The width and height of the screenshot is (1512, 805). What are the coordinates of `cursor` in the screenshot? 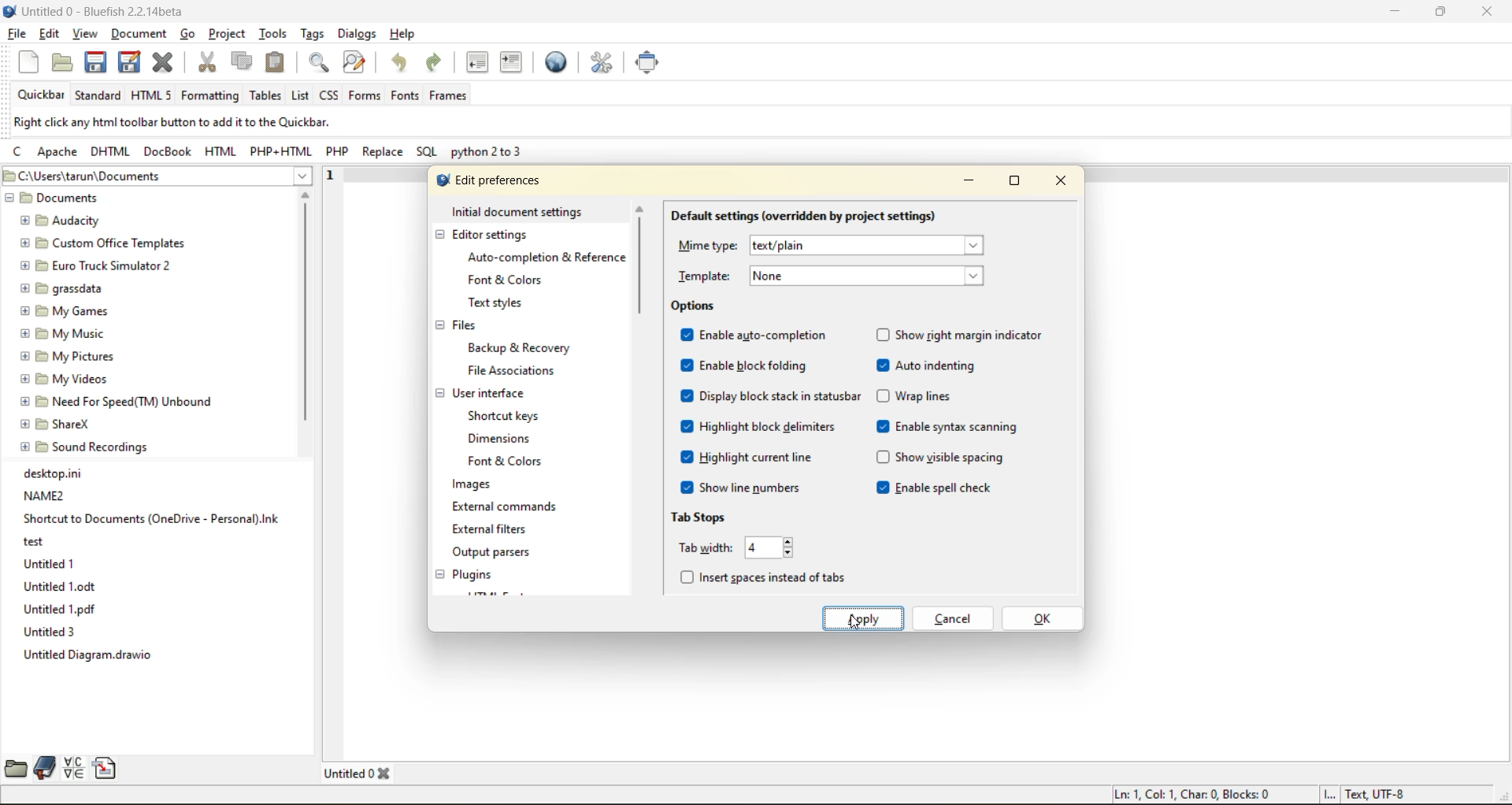 It's located at (856, 624).